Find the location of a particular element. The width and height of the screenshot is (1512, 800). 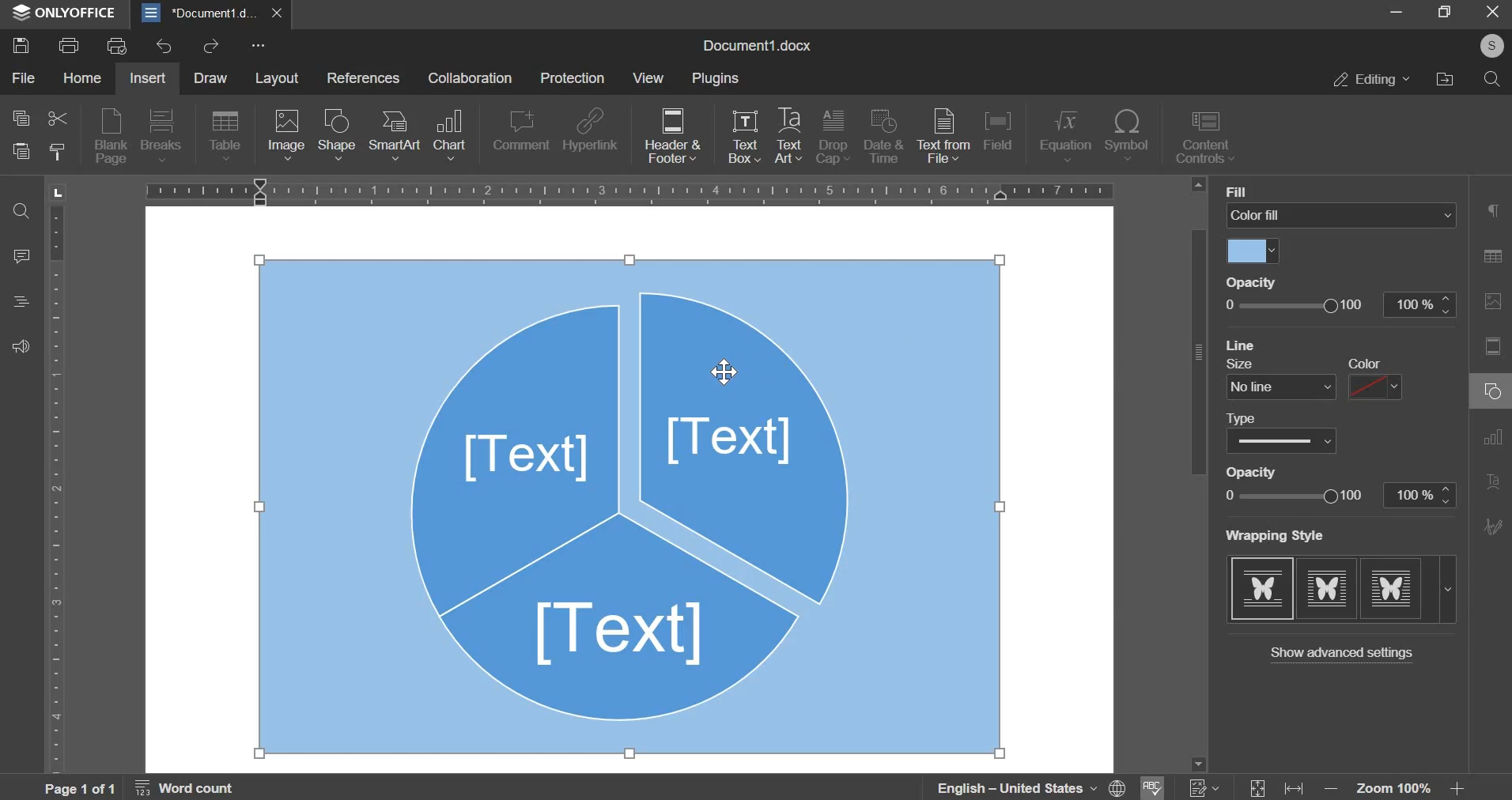

text from file is located at coordinates (943, 136).